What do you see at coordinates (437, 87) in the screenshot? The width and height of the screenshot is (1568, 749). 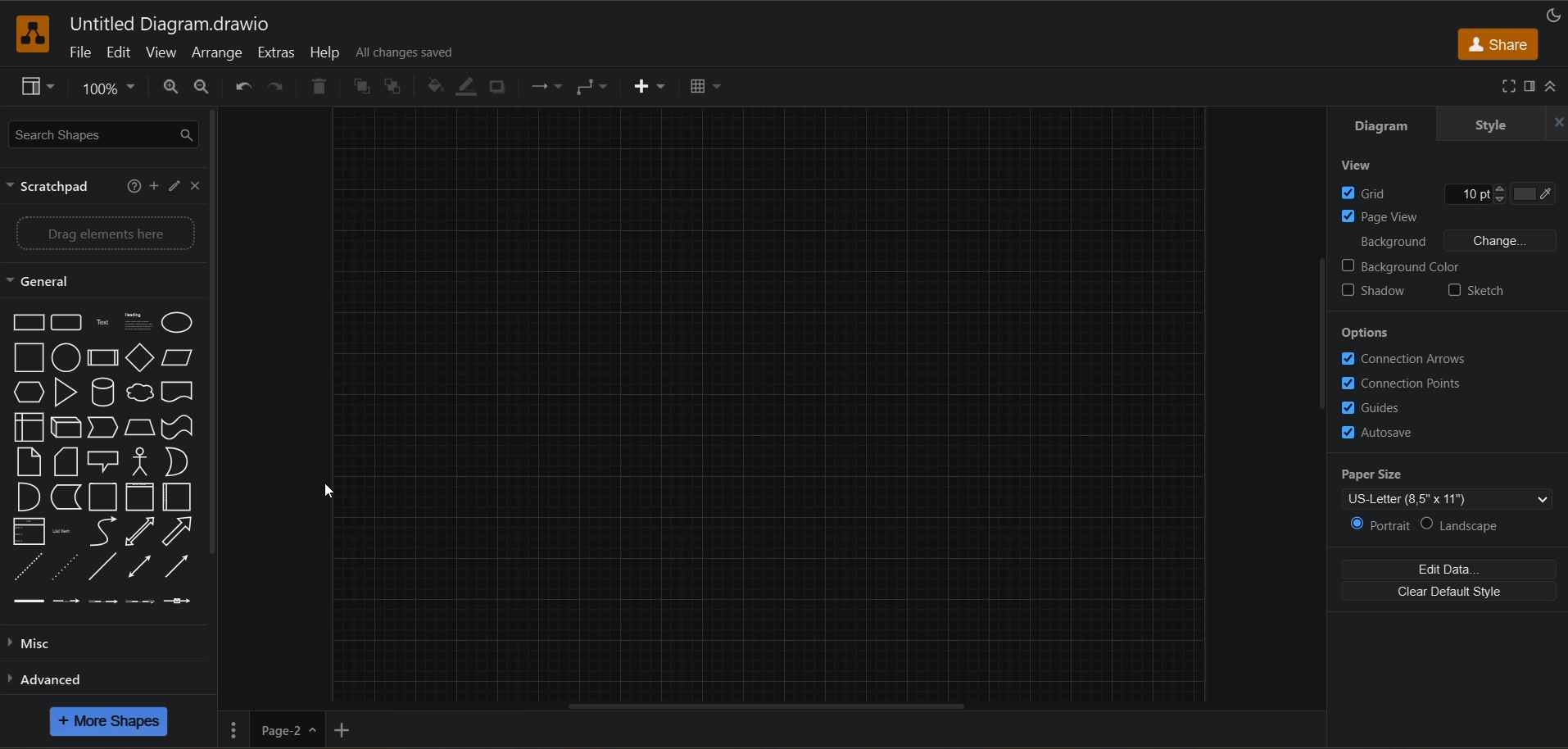 I see `fill color` at bounding box center [437, 87].